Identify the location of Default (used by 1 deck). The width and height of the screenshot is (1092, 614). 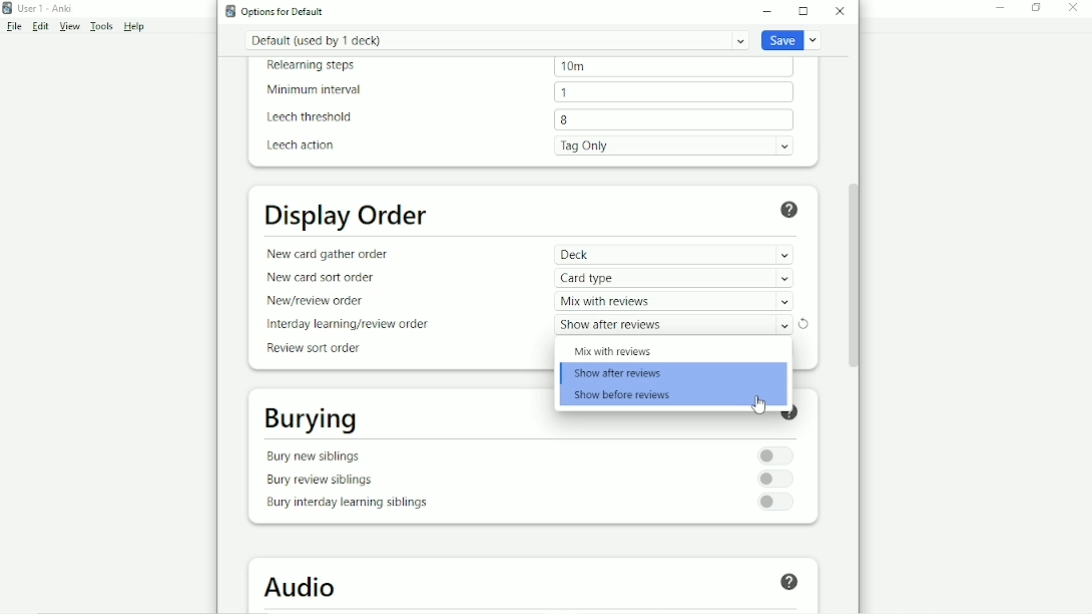
(497, 40).